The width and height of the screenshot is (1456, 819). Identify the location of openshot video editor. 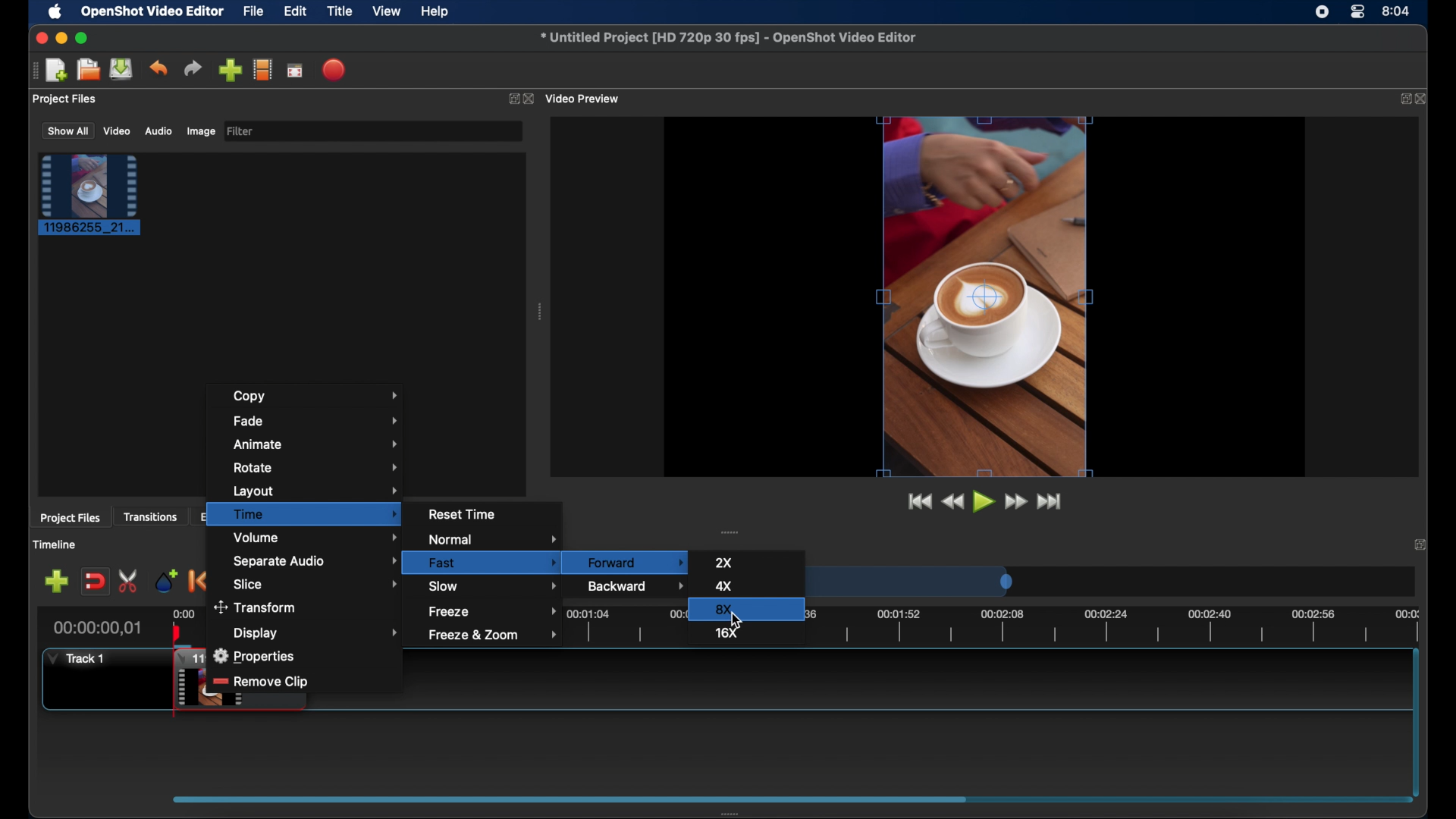
(153, 12).